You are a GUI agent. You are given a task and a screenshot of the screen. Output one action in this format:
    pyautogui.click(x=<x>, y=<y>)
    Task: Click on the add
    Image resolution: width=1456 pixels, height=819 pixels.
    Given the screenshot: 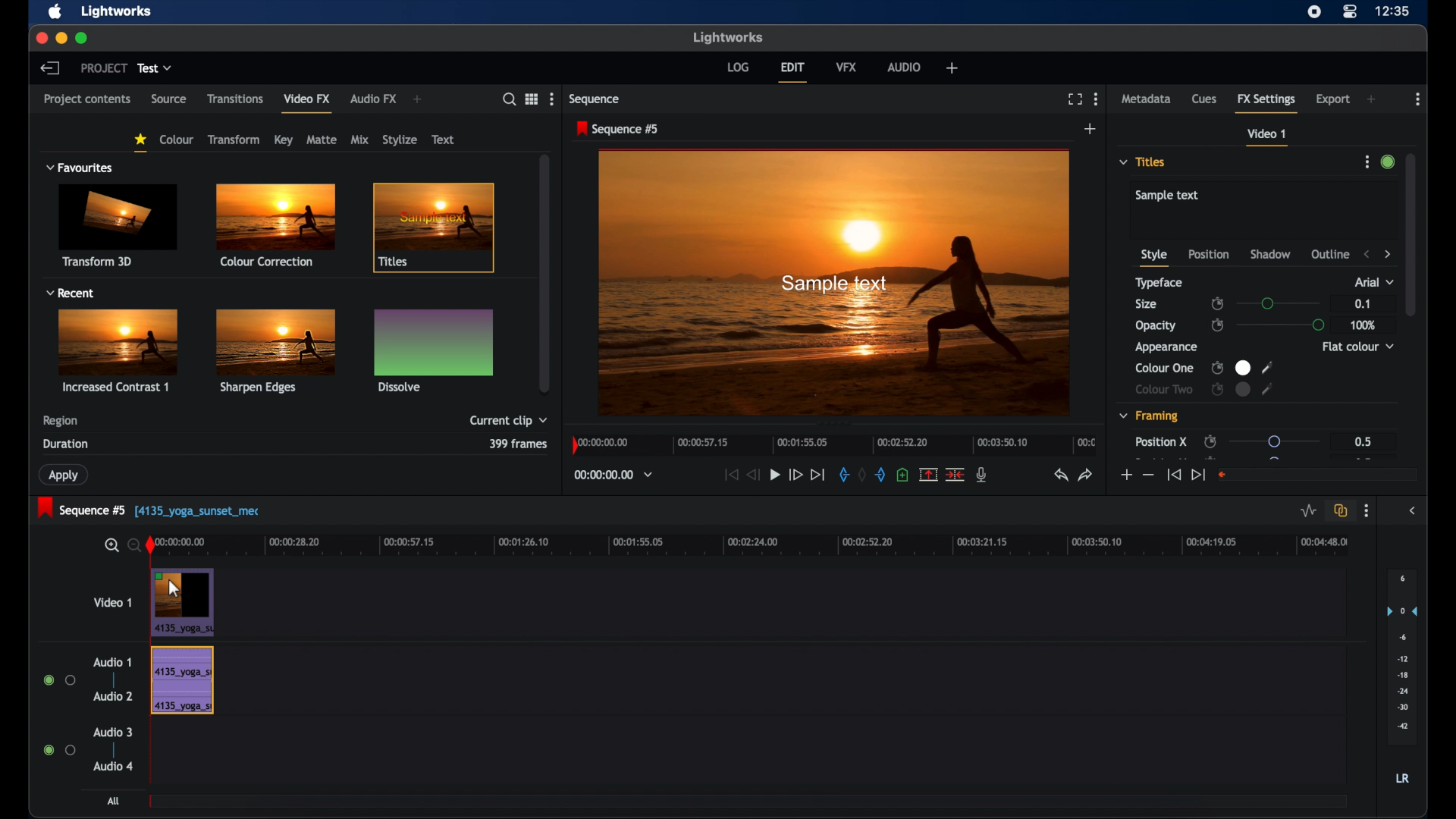 What is the action you would take?
    pyautogui.click(x=952, y=68)
    